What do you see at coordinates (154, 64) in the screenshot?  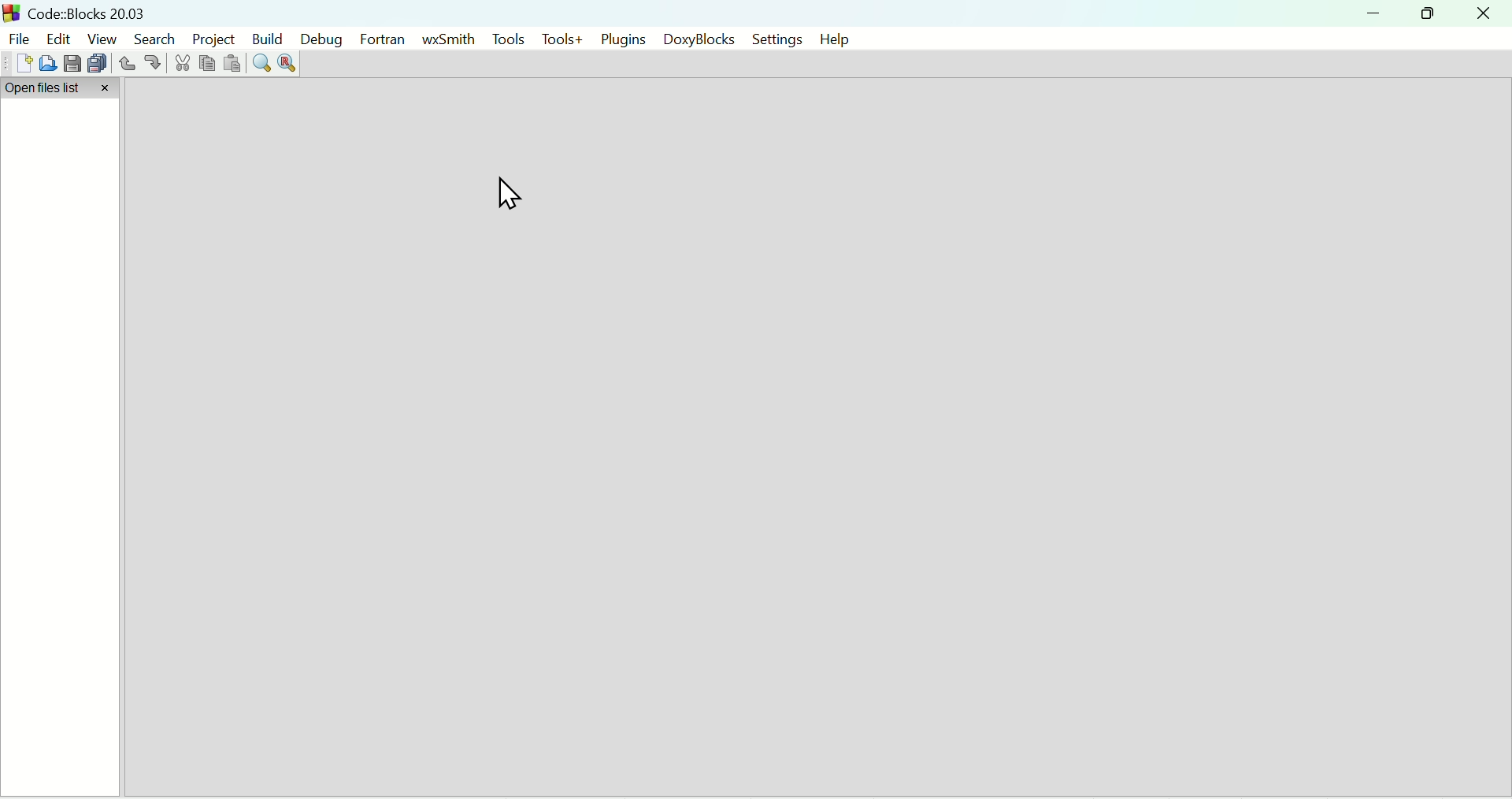 I see `redo` at bounding box center [154, 64].